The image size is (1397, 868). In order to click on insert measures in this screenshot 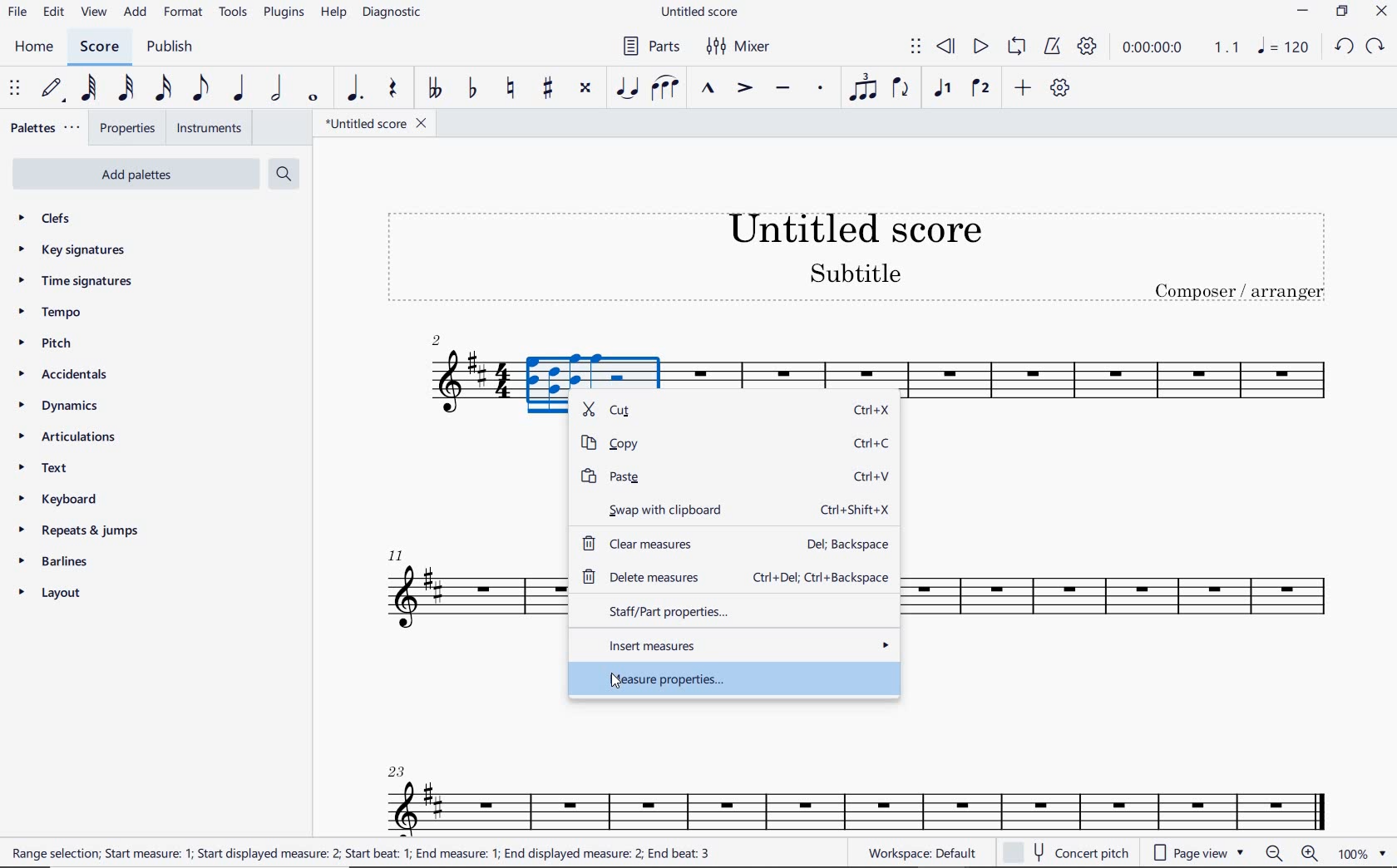, I will do `click(736, 644)`.